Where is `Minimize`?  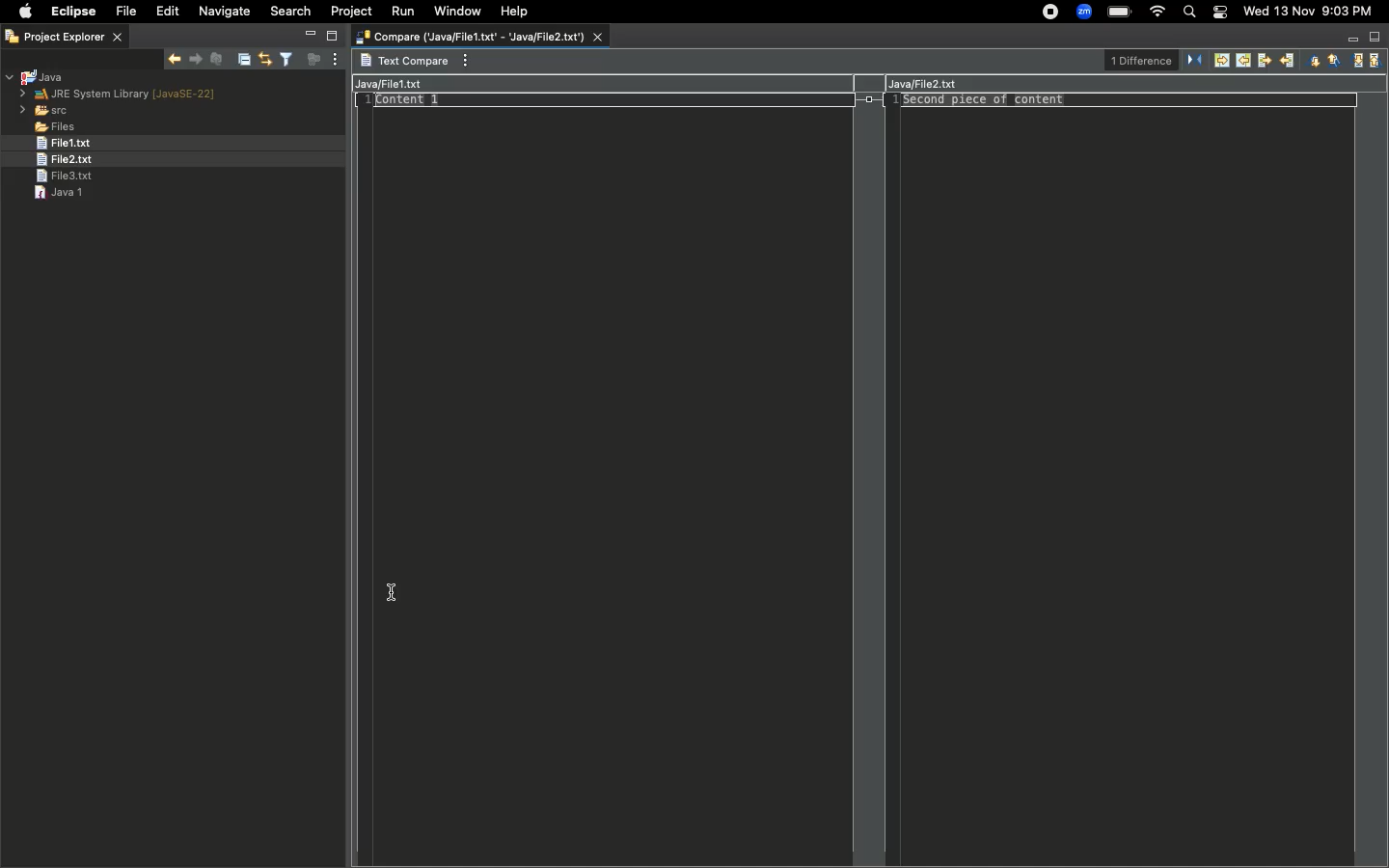 Minimize is located at coordinates (311, 34).